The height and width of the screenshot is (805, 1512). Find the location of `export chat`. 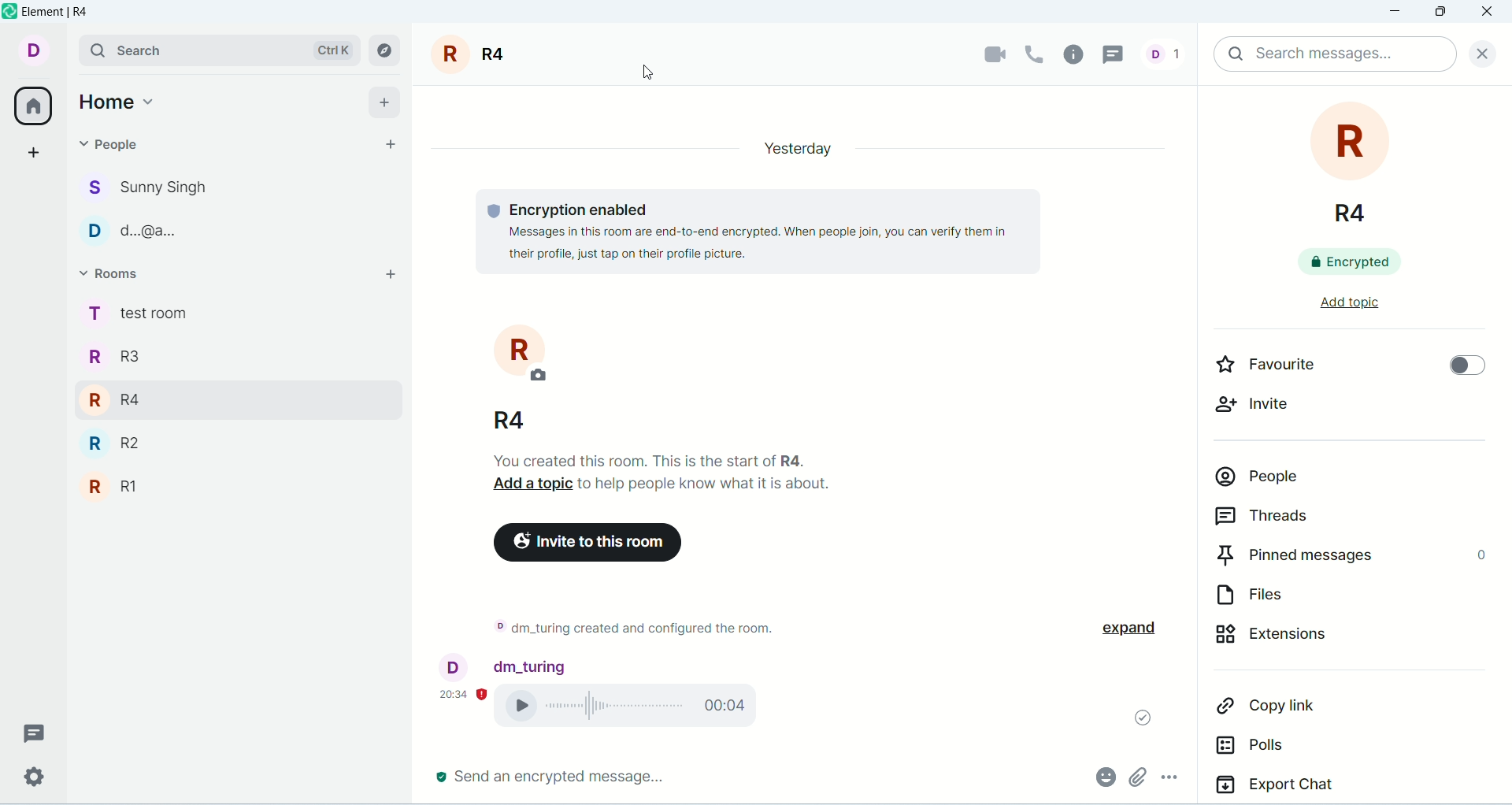

export chat is located at coordinates (1347, 788).